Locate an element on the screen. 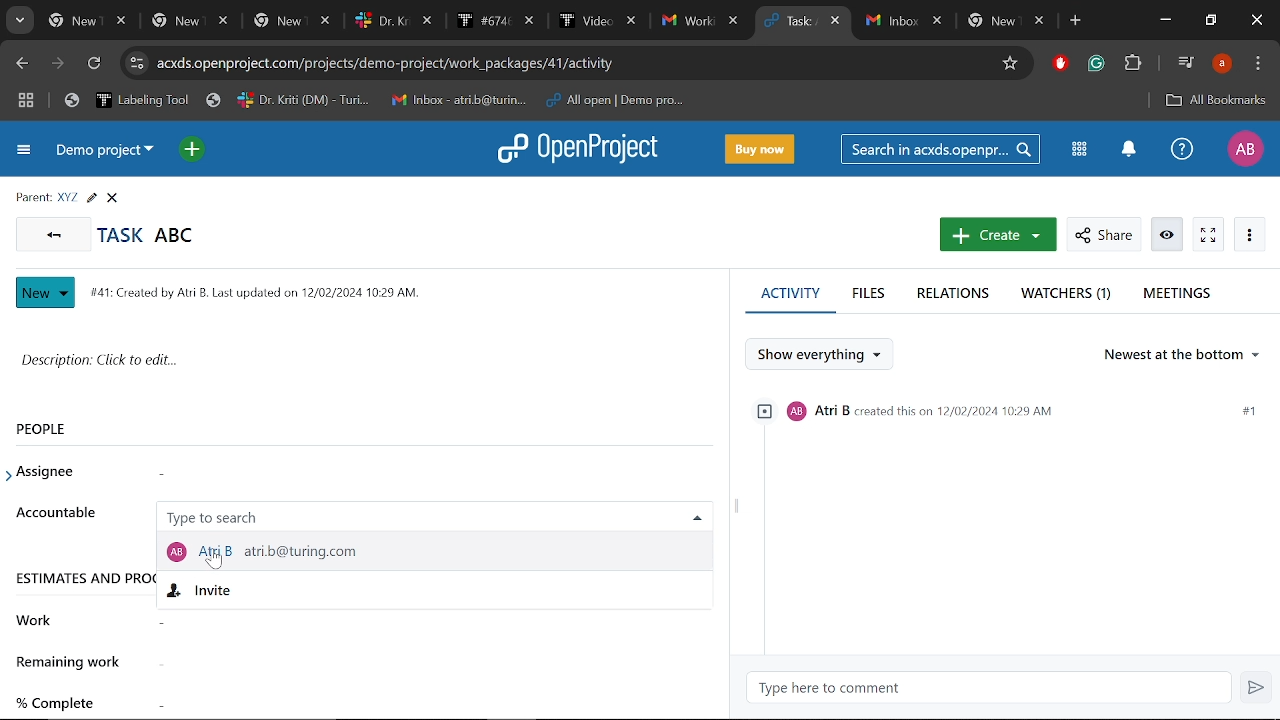 Image resolution: width=1280 pixels, height=720 pixels. Activity is located at coordinates (791, 294).